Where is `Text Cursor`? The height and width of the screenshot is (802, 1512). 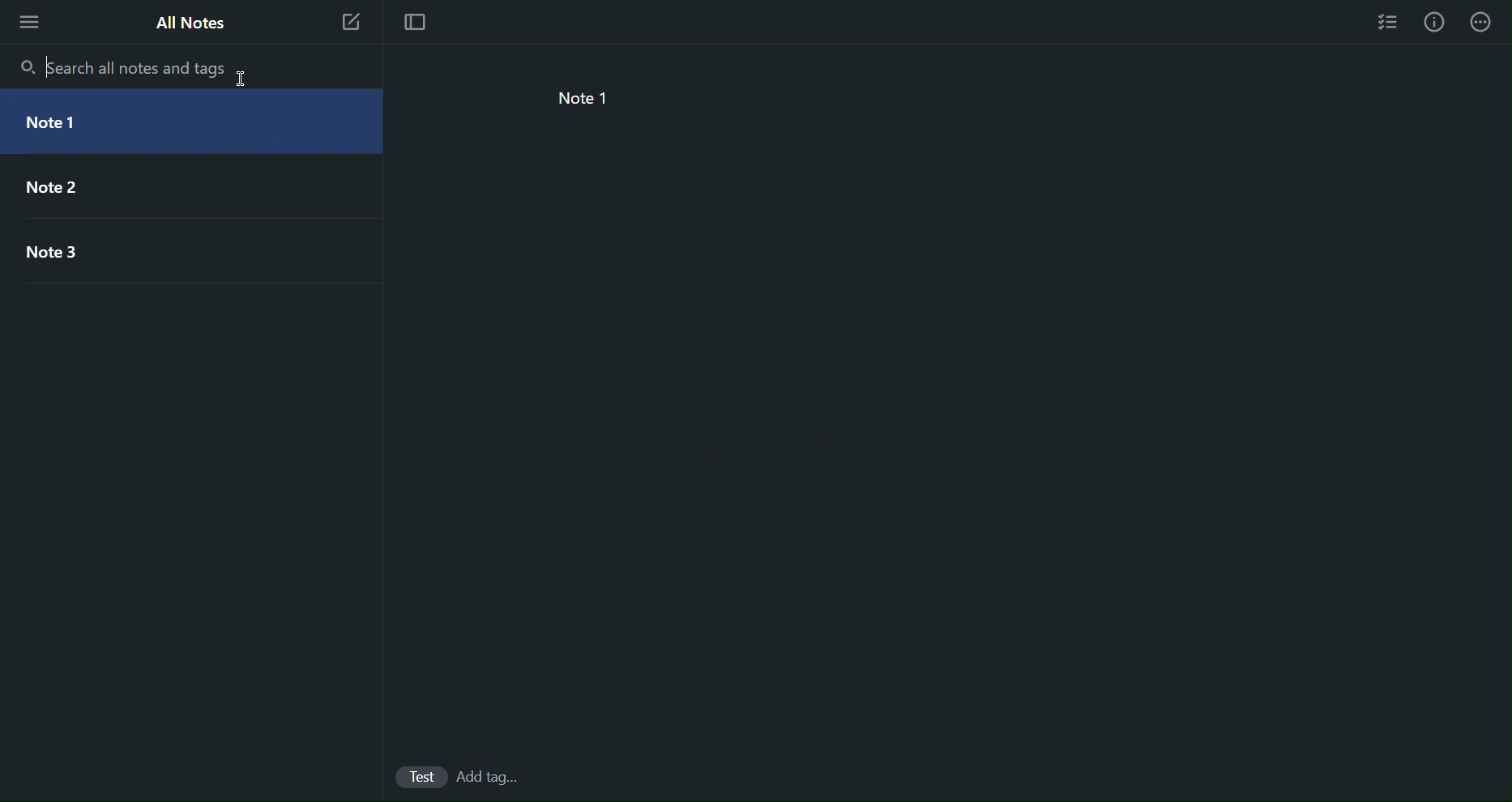
Text Cursor is located at coordinates (45, 65).